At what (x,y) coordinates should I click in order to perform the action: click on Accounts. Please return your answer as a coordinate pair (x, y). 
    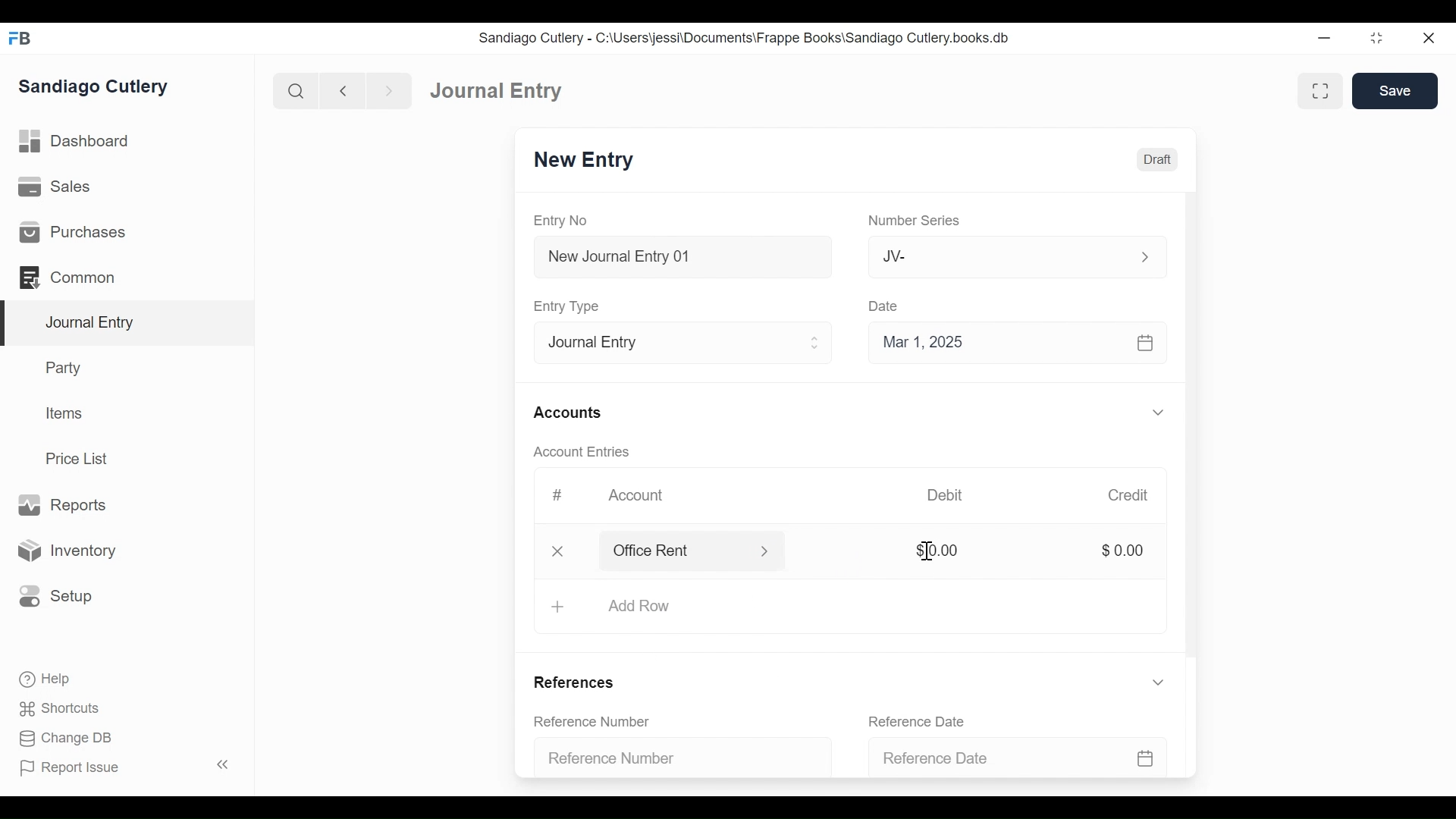
    Looking at the image, I should click on (566, 413).